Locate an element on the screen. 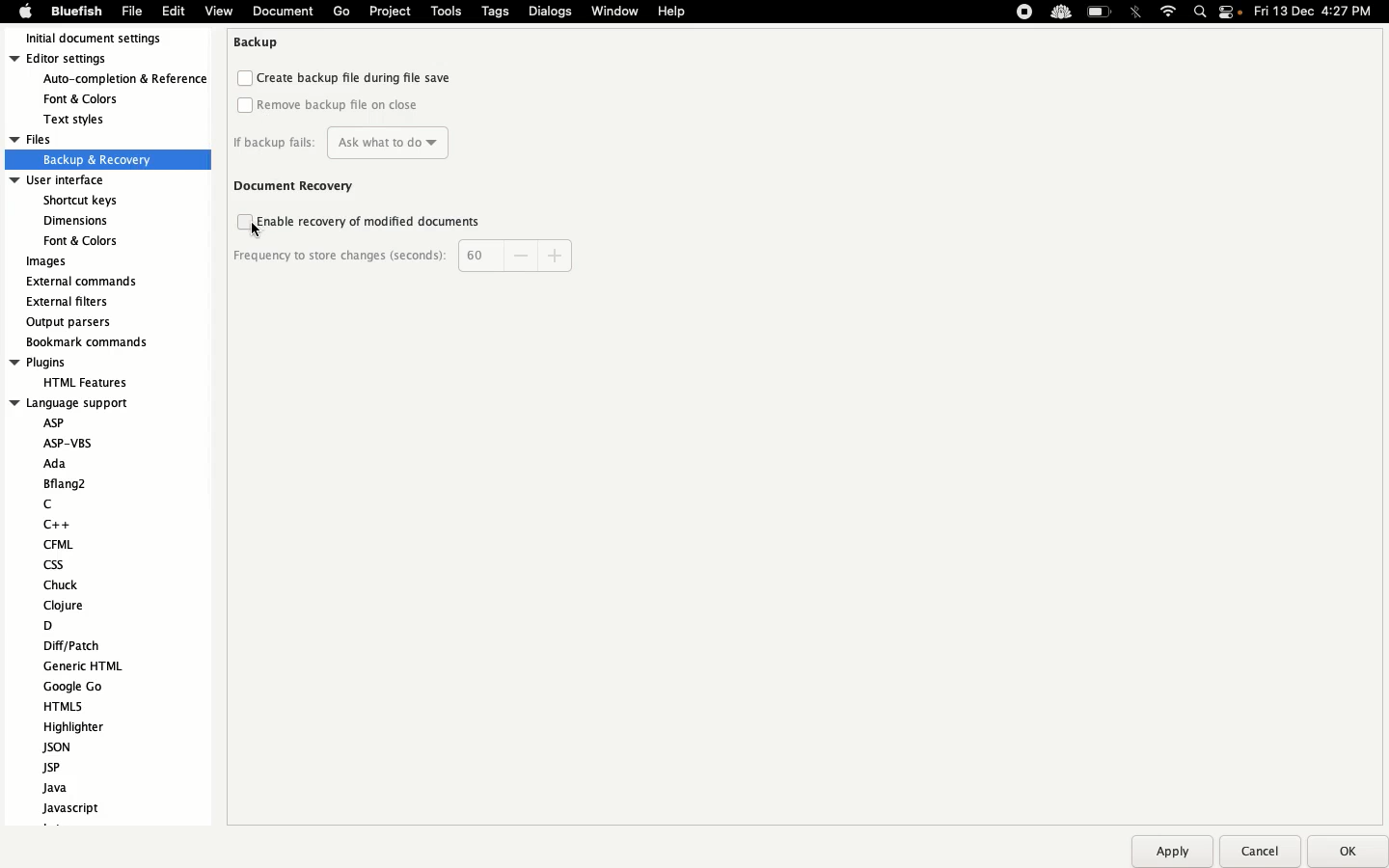 Image resolution: width=1389 pixels, height=868 pixels. Internet is located at coordinates (1167, 11).